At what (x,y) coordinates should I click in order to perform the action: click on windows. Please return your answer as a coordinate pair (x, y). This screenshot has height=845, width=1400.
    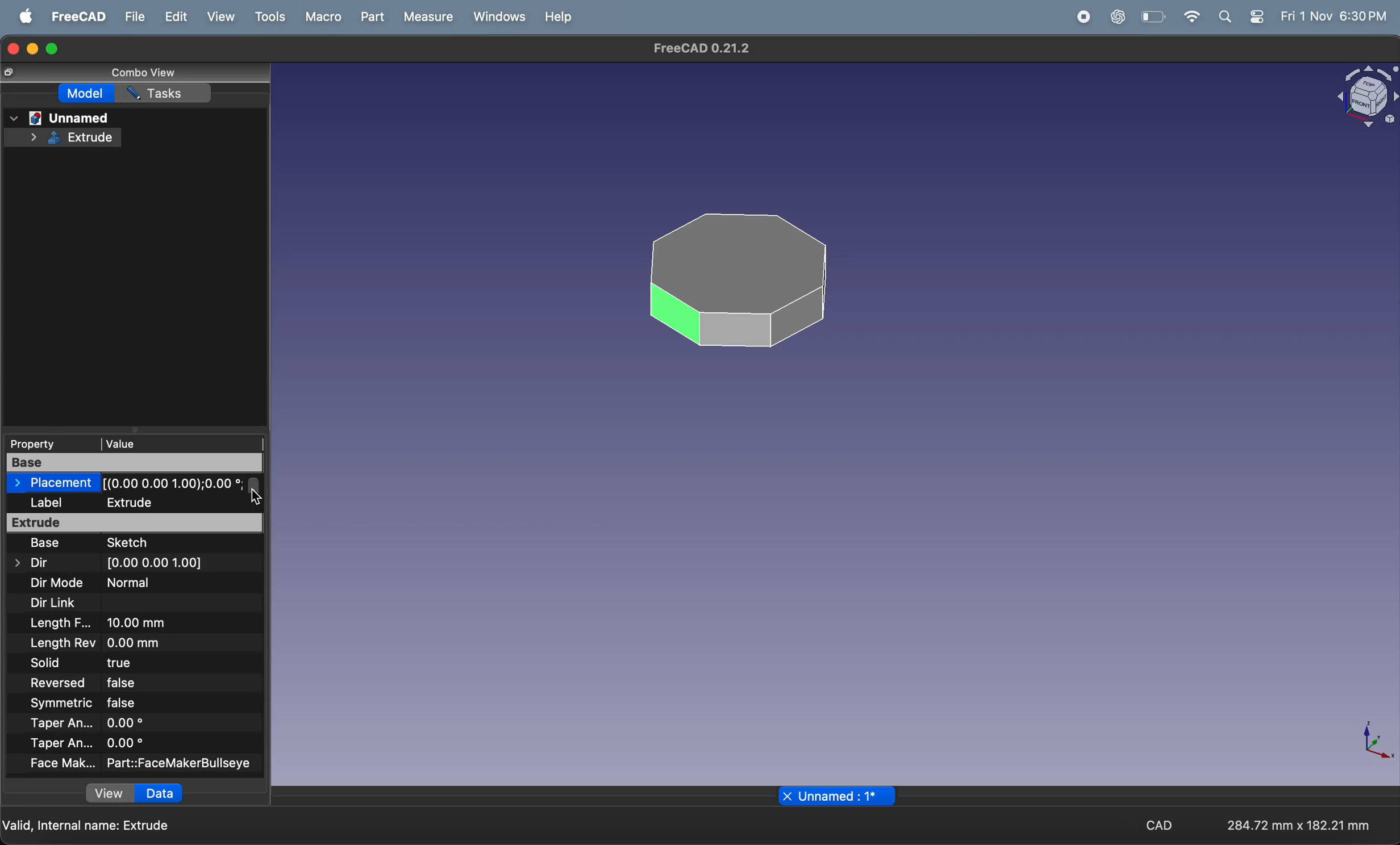
    Looking at the image, I should click on (498, 16).